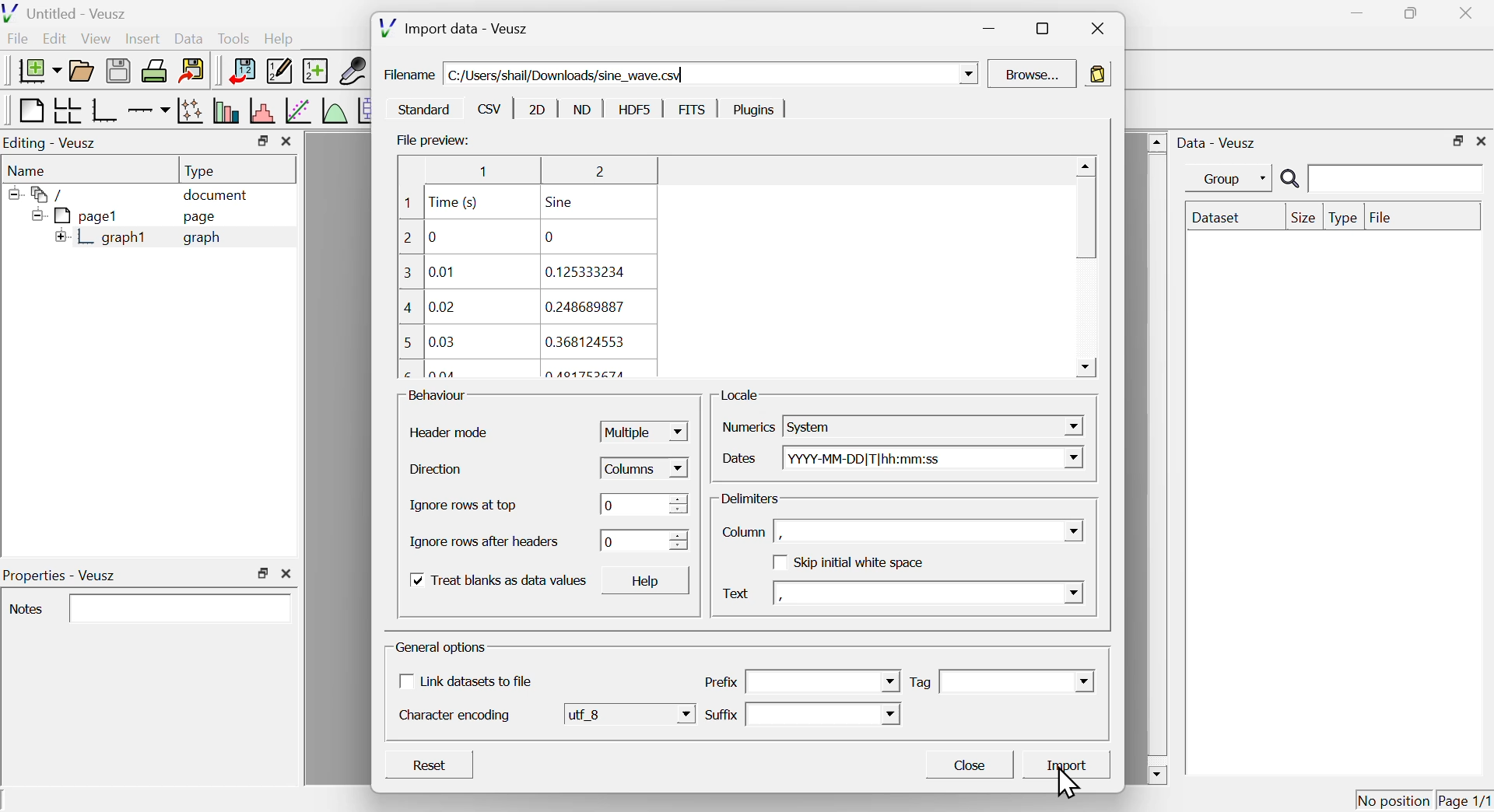  I want to click on FITS, so click(693, 110).